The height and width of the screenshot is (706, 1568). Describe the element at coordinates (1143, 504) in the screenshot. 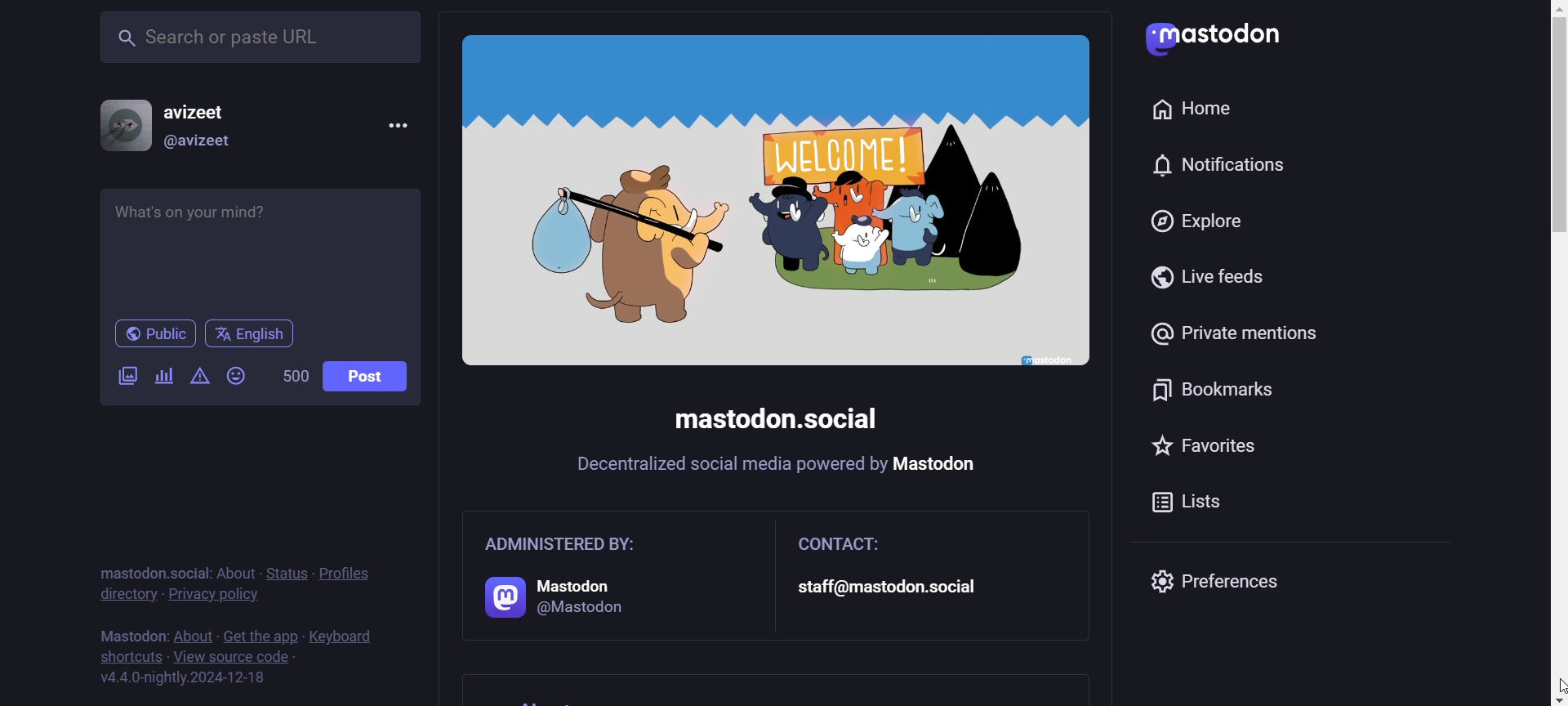

I see `lists` at that location.